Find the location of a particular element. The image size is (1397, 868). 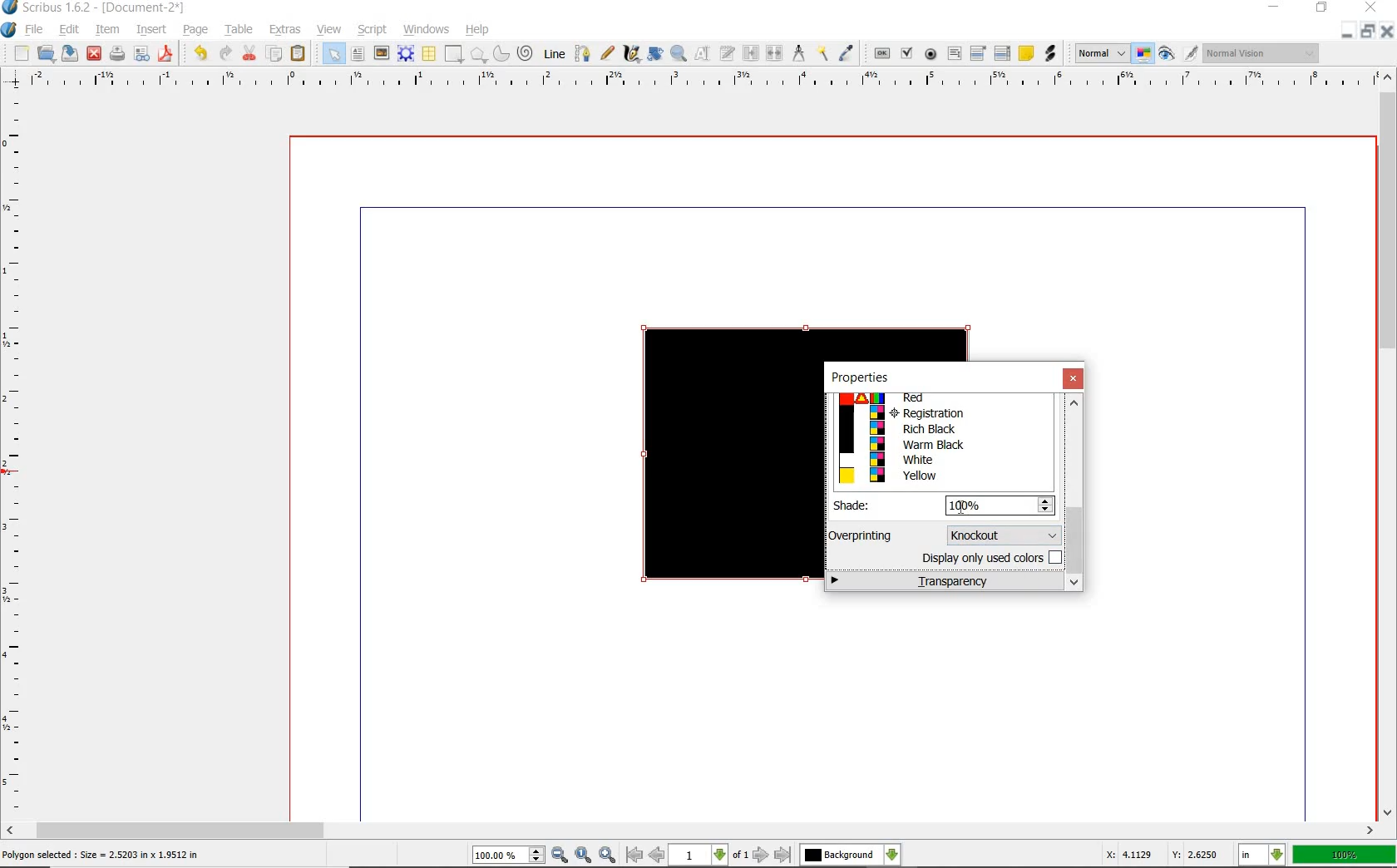

Yellow is located at coordinates (941, 476).